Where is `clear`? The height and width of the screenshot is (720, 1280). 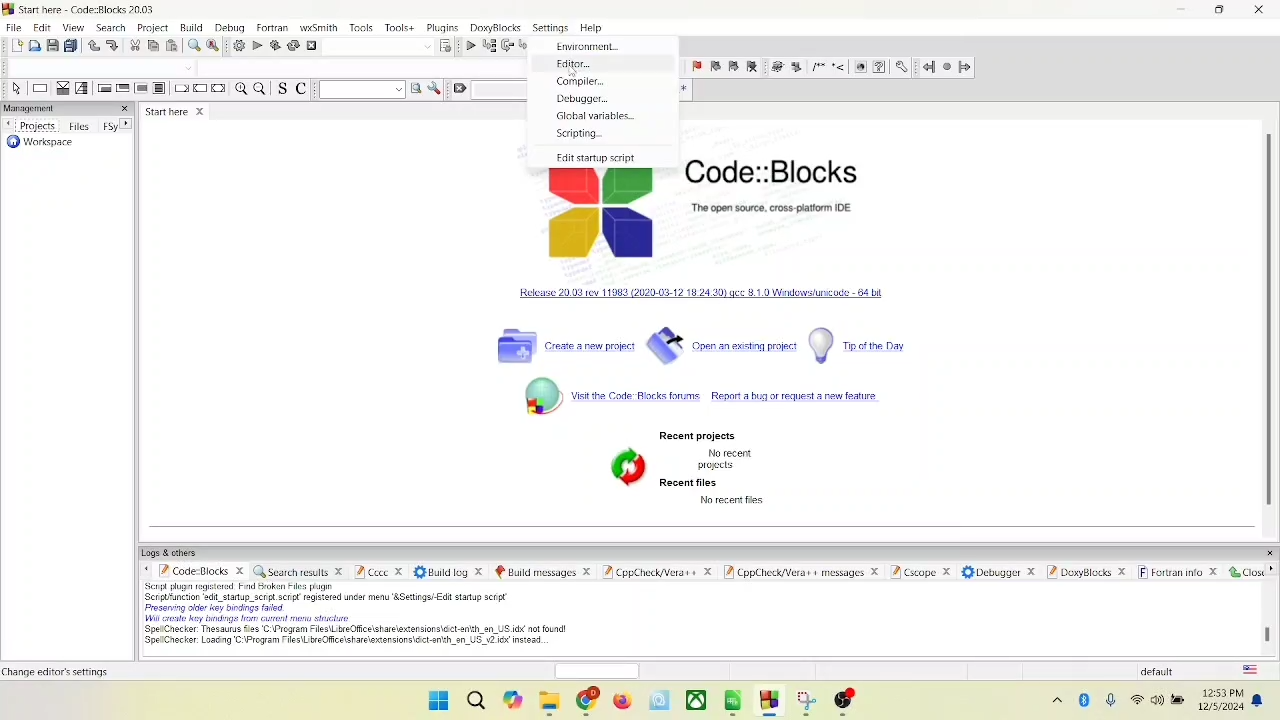 clear is located at coordinates (460, 91).